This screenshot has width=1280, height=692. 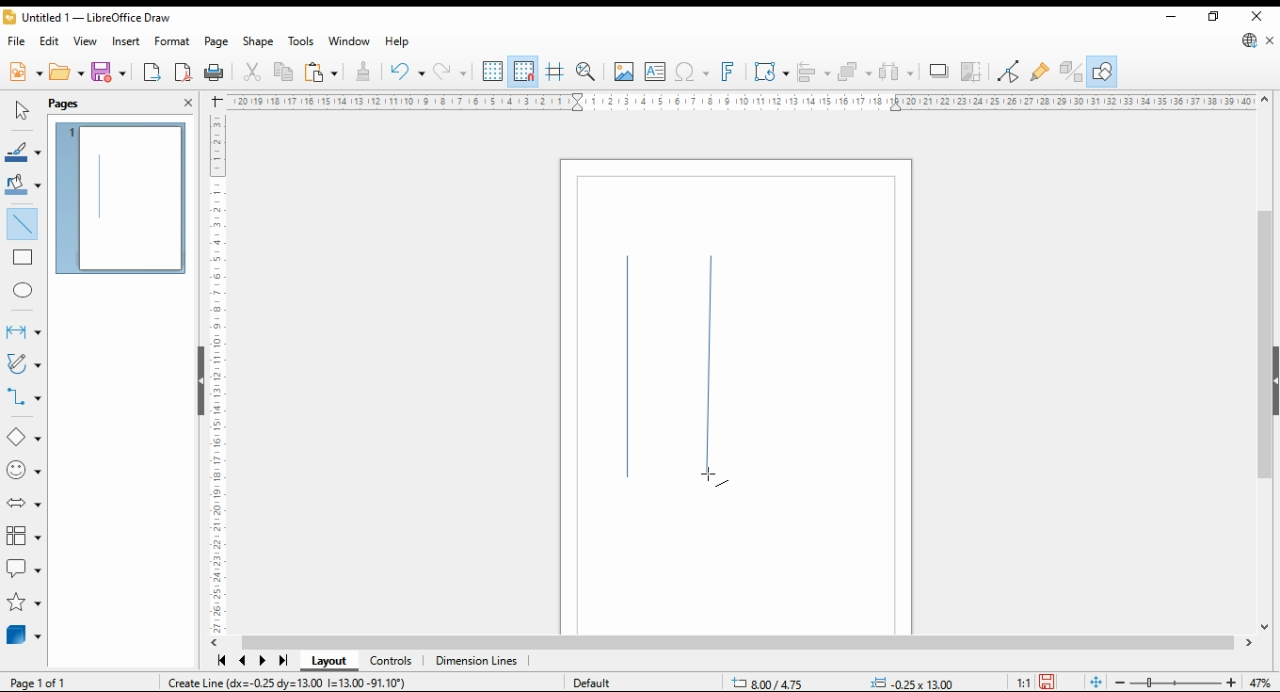 What do you see at coordinates (348, 42) in the screenshot?
I see `window` at bounding box center [348, 42].